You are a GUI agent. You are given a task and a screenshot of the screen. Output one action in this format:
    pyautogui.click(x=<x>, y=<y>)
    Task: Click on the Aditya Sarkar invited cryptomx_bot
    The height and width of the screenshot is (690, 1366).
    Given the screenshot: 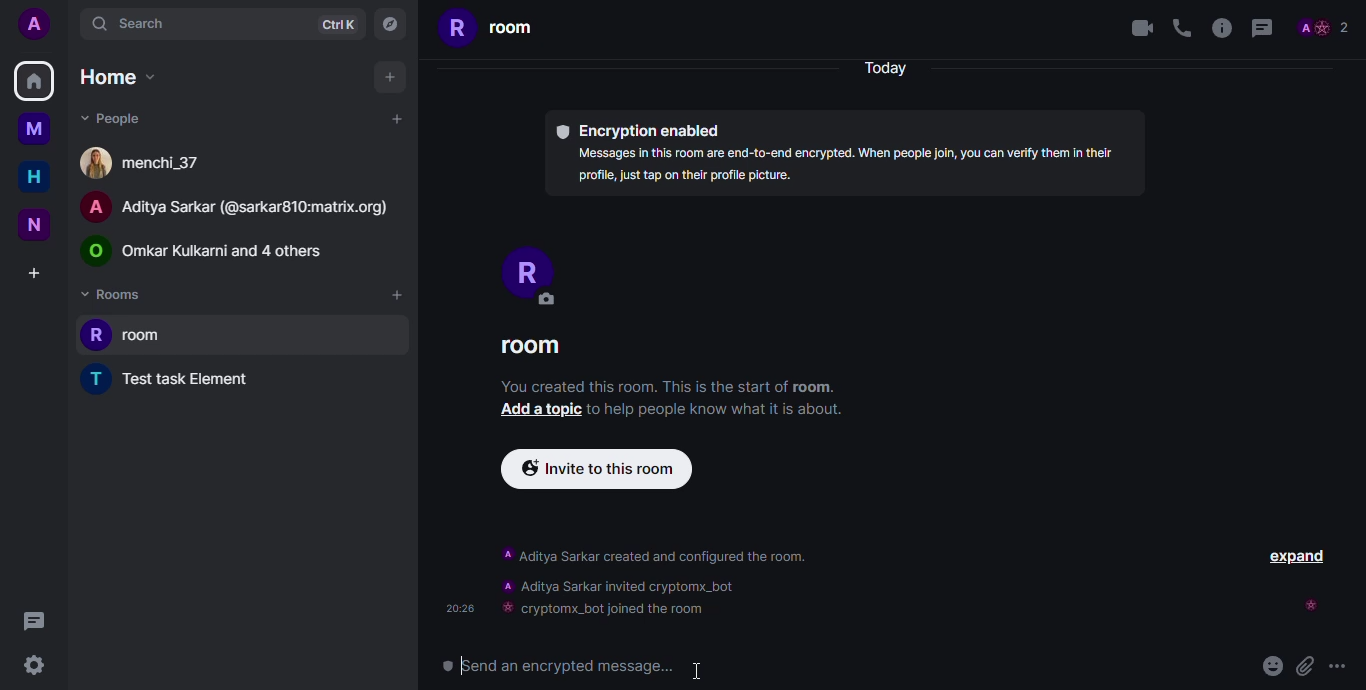 What is the action you would take?
    pyautogui.click(x=616, y=587)
    